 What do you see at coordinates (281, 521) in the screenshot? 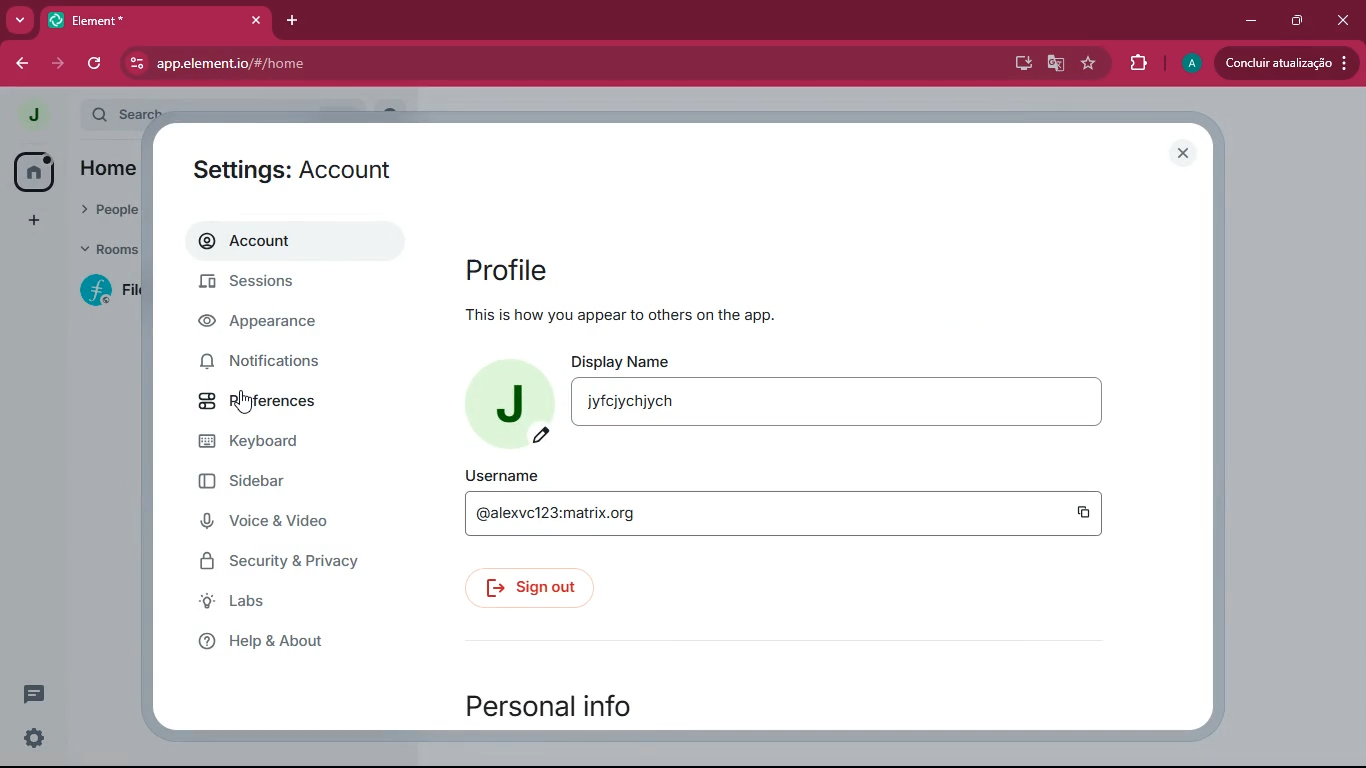
I see `voice & video` at bounding box center [281, 521].